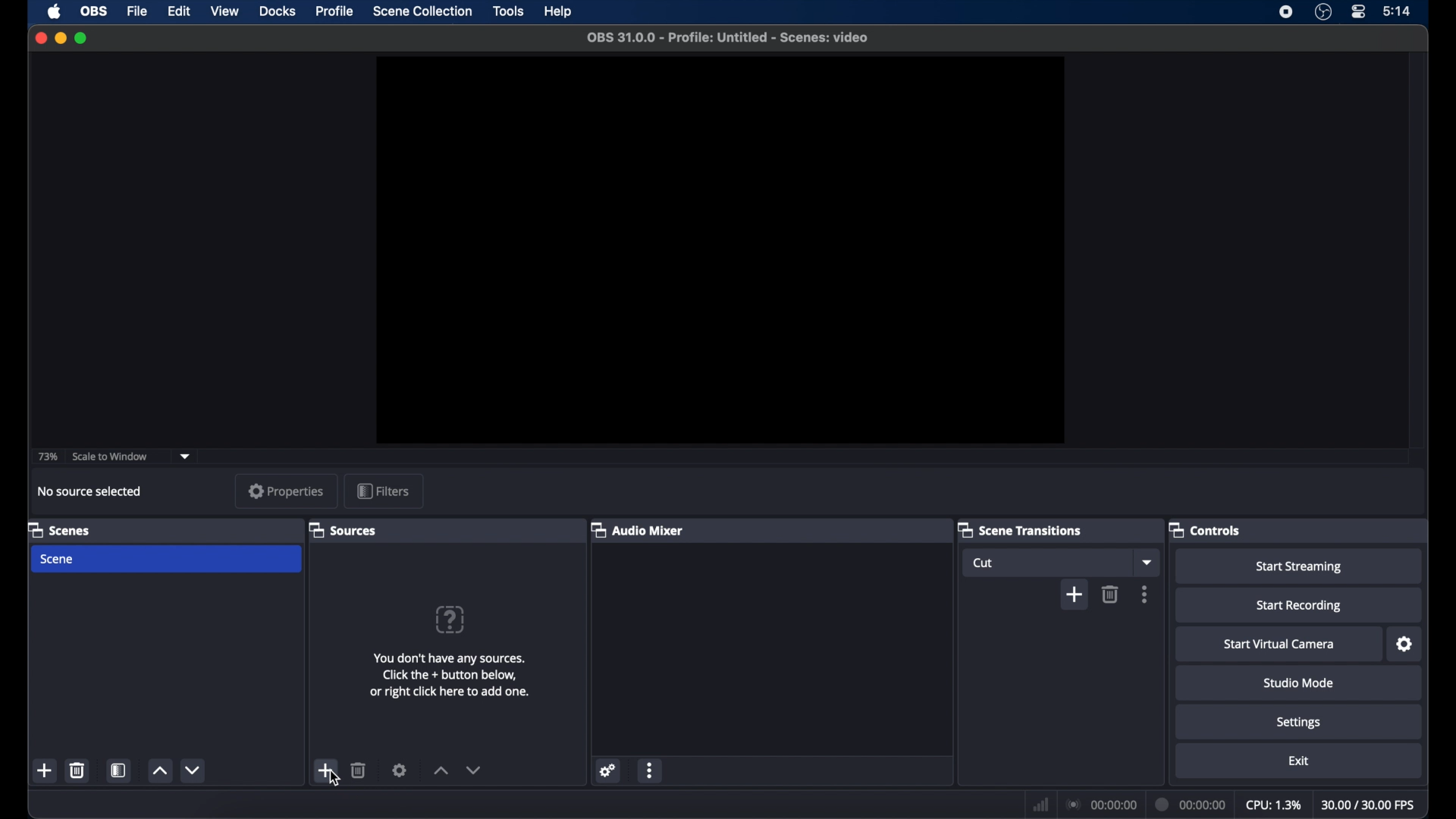 This screenshot has width=1456, height=819. I want to click on start virtual camera, so click(1280, 644).